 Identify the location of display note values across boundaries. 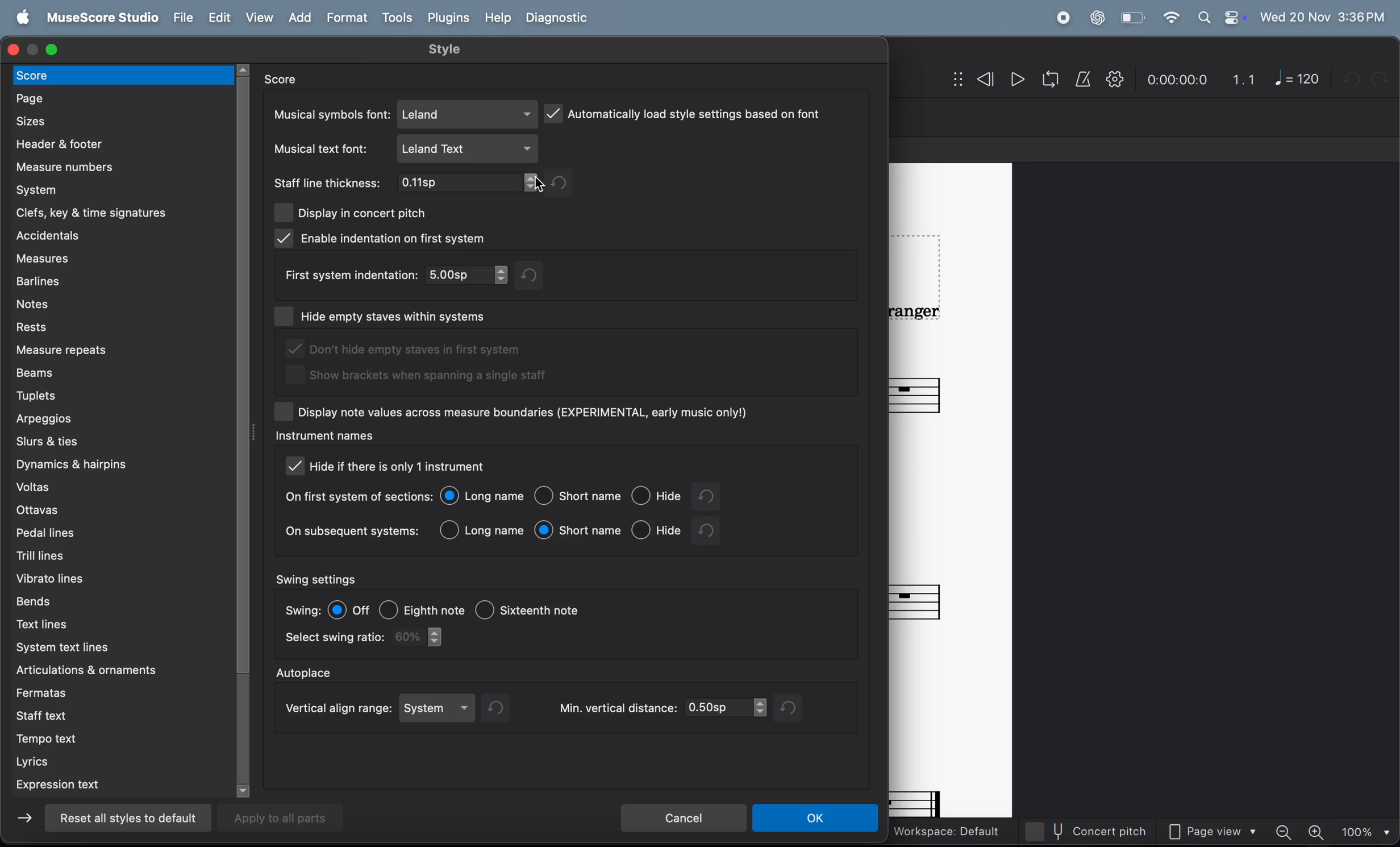
(527, 412).